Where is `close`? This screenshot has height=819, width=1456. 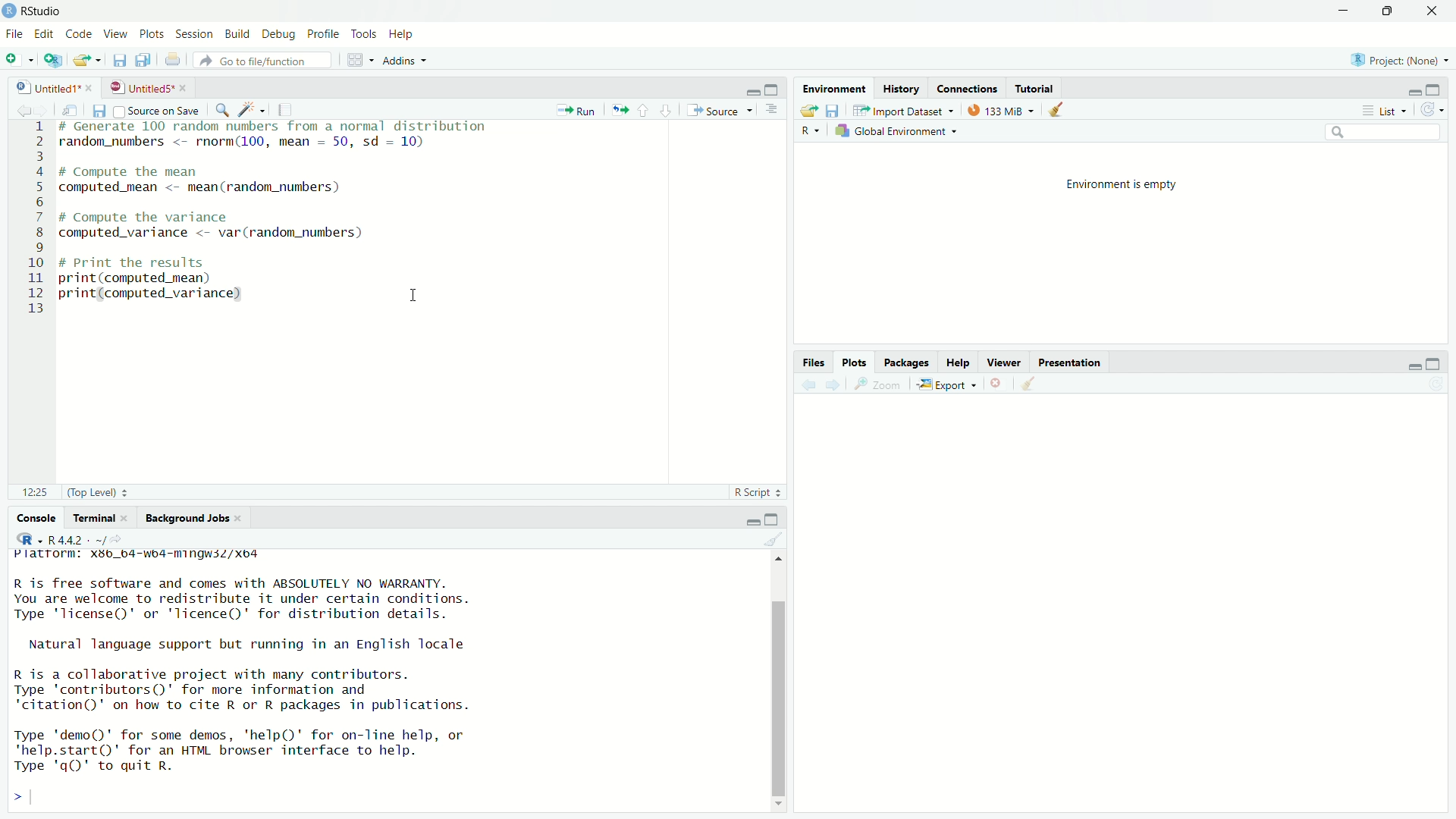
close is located at coordinates (246, 519).